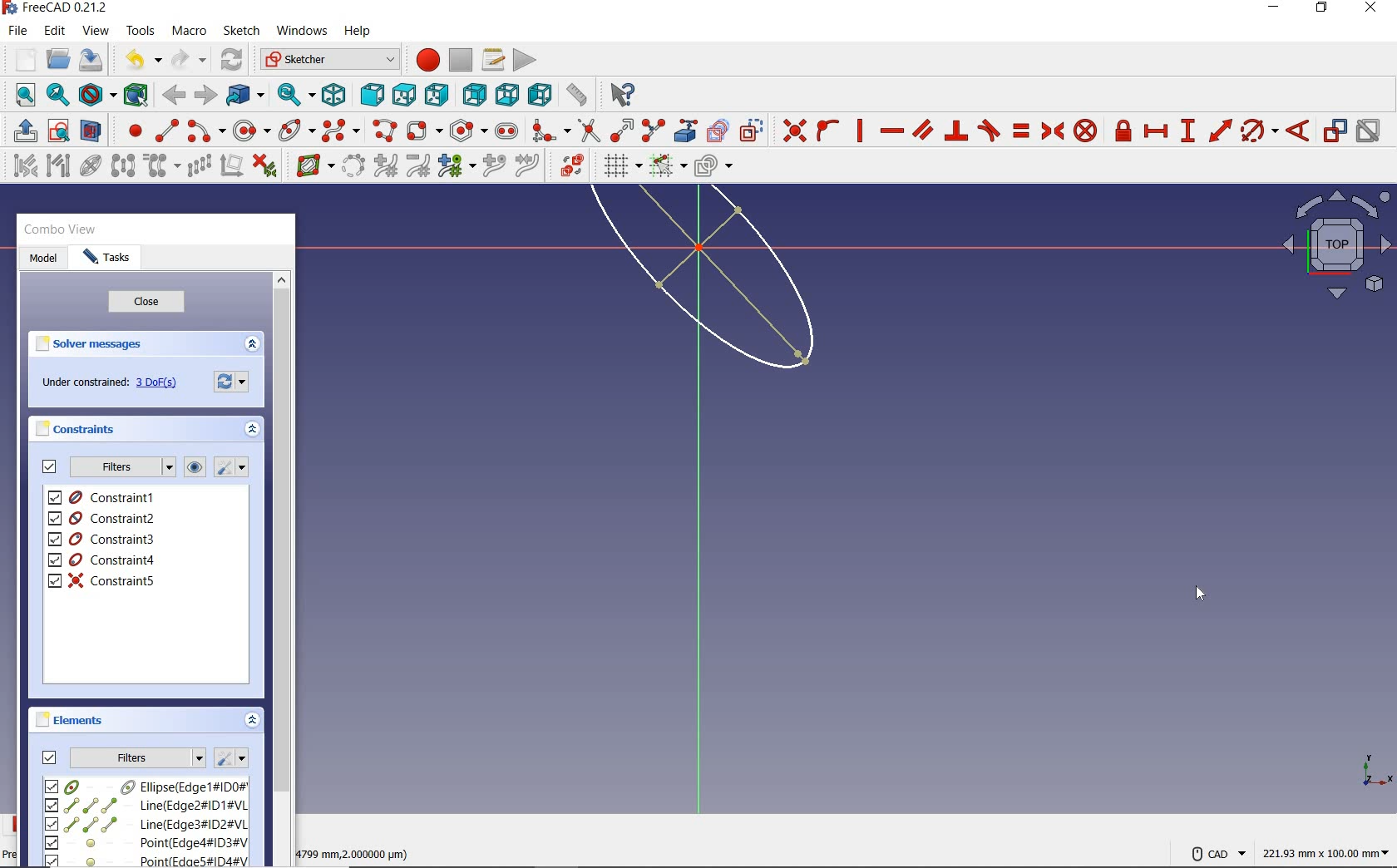  Describe the element at coordinates (296, 129) in the screenshot. I see `ellipse` at that location.